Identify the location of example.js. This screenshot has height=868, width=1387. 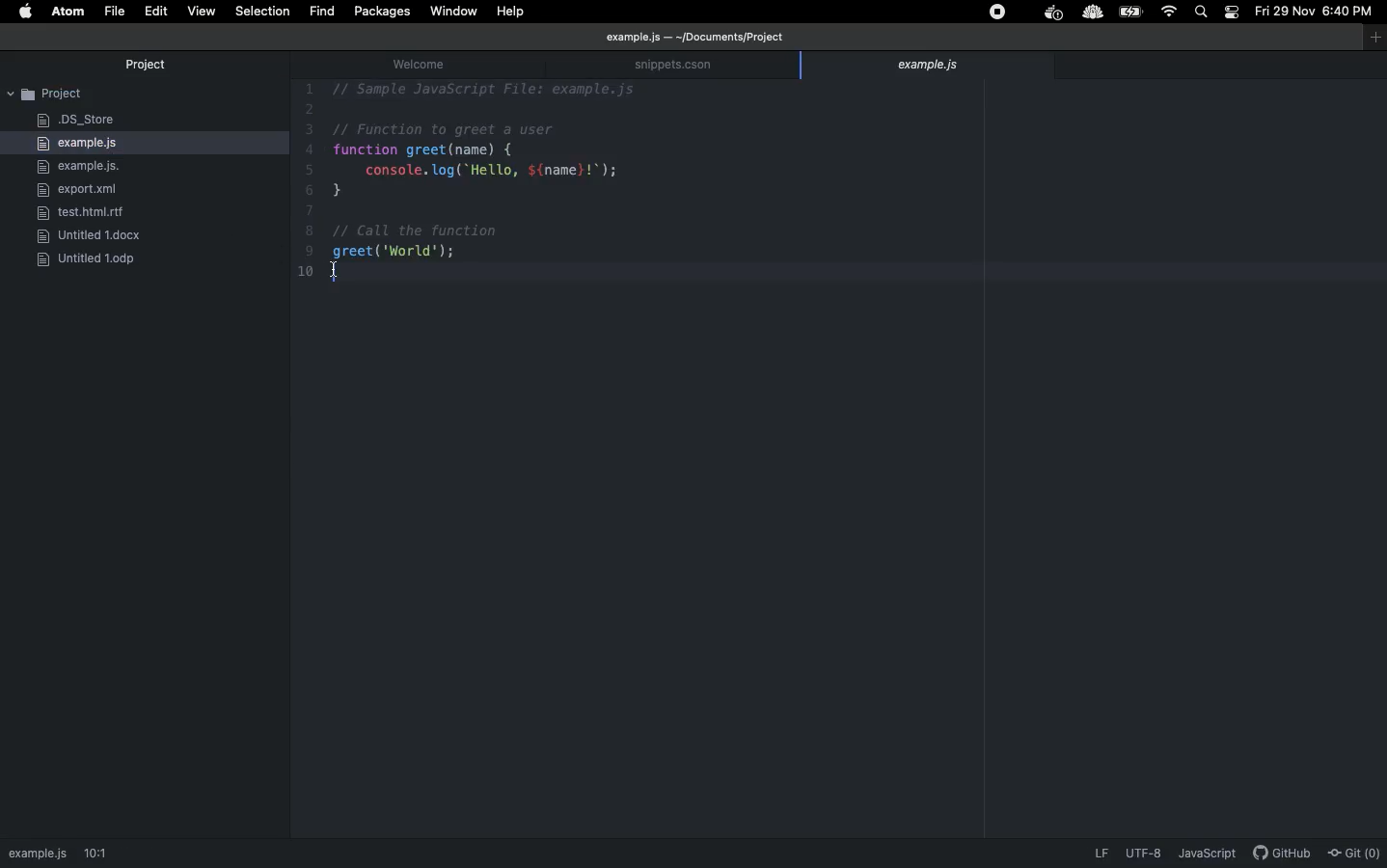
(932, 65).